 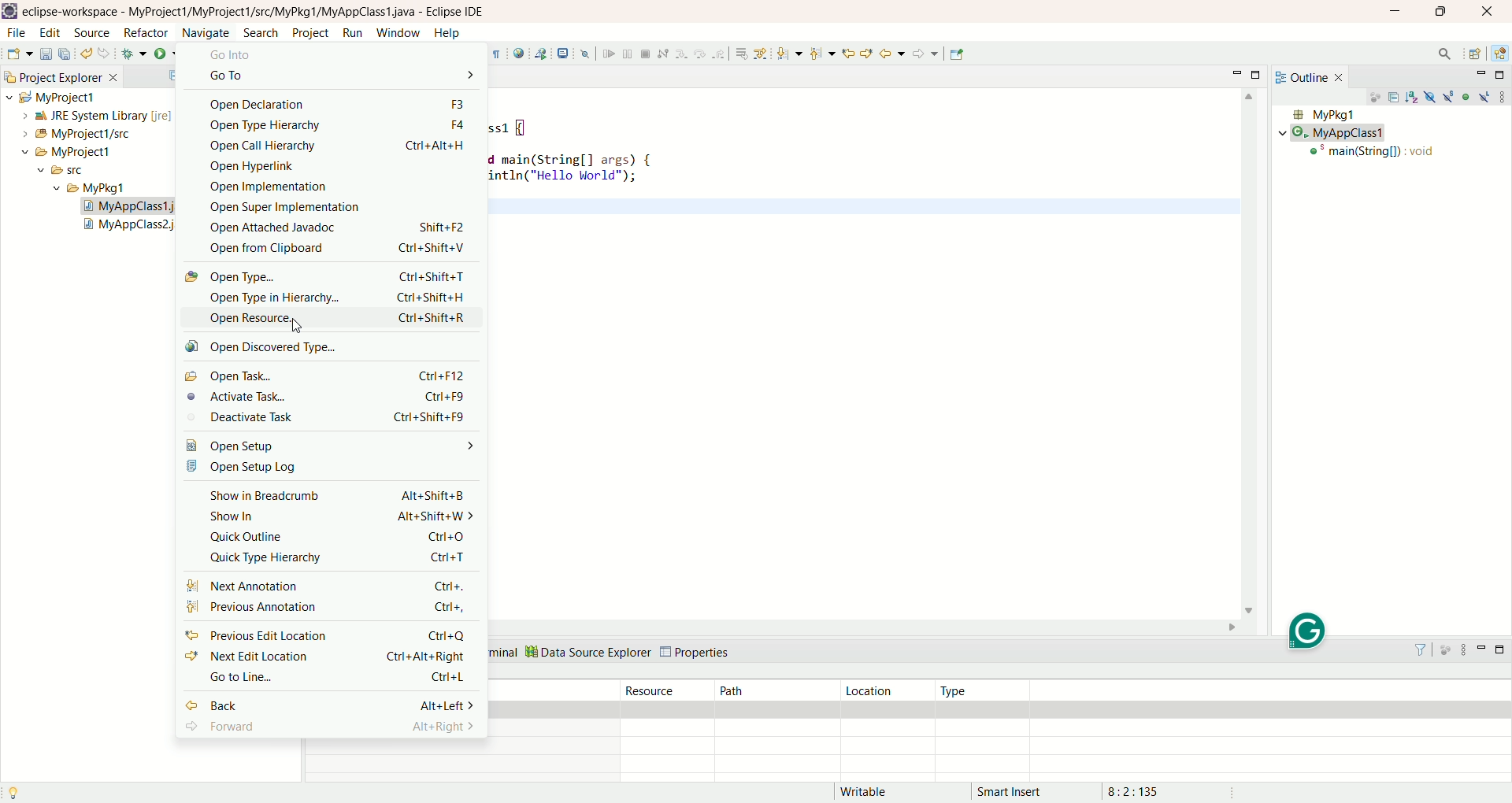 I want to click on help, so click(x=446, y=34).